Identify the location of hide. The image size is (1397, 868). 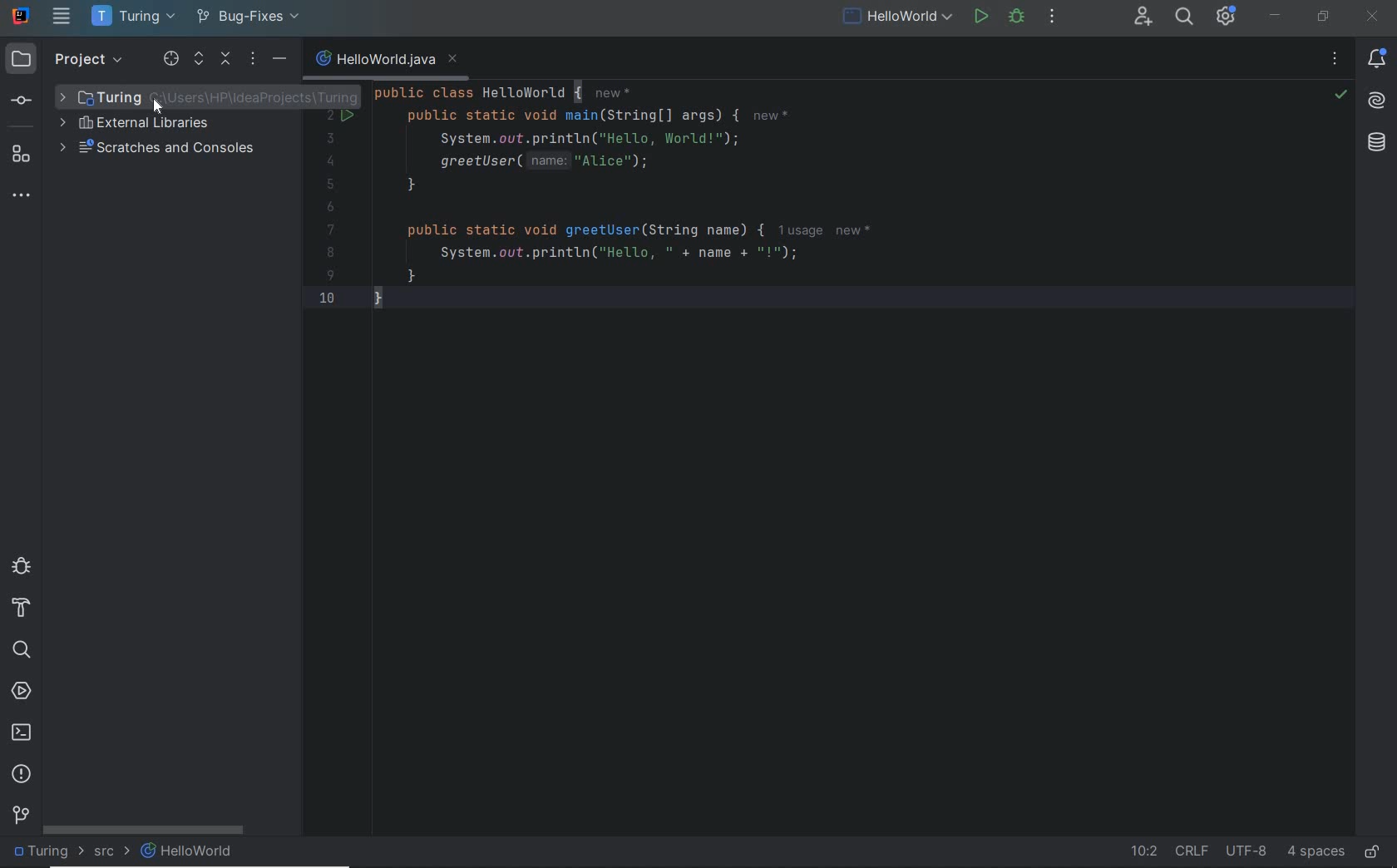
(278, 60).